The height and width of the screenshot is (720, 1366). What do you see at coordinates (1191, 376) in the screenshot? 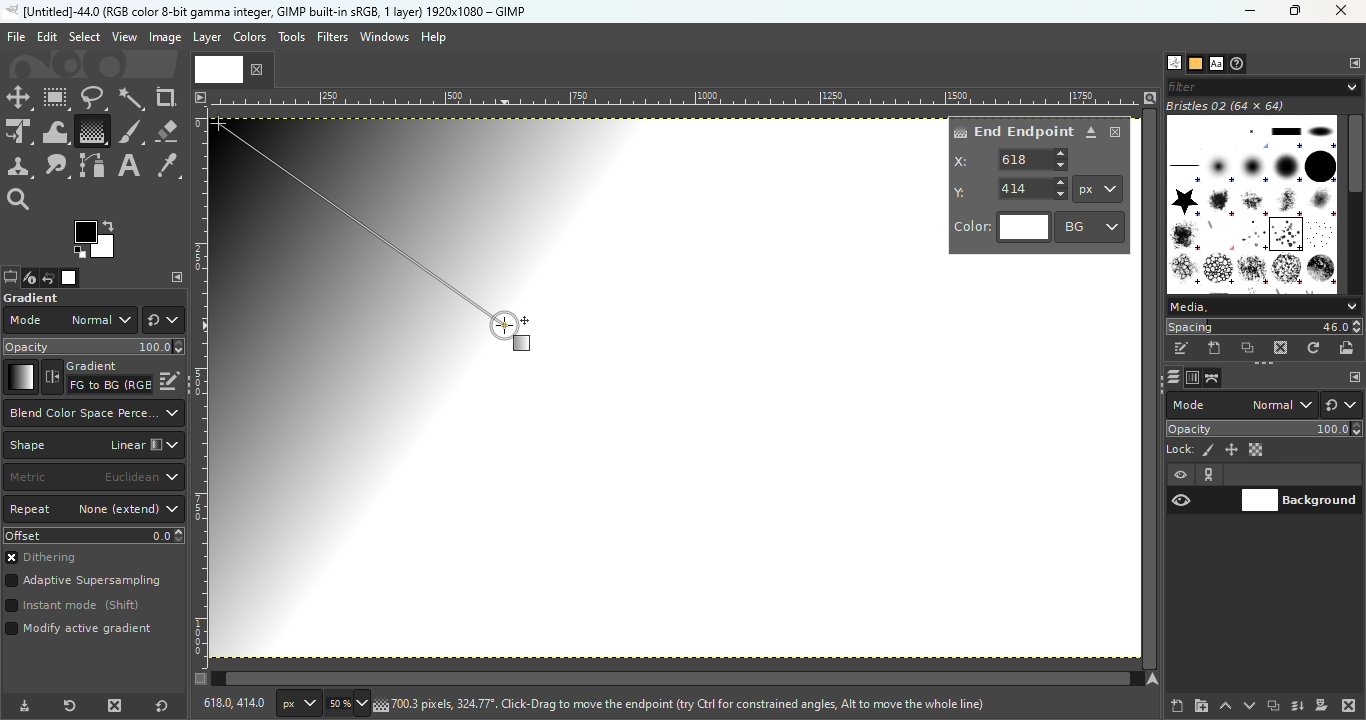
I see `Open the channels dialog` at bounding box center [1191, 376].